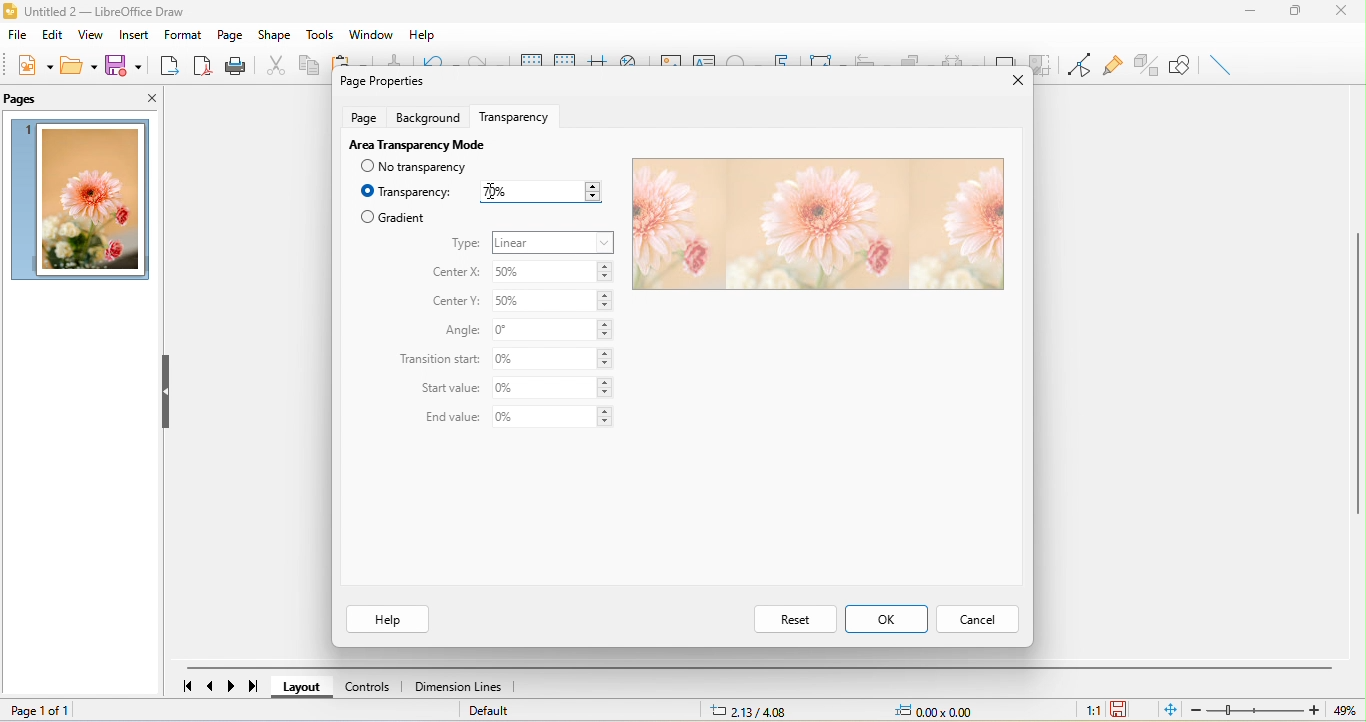 This screenshot has width=1366, height=722. I want to click on view, so click(94, 34).